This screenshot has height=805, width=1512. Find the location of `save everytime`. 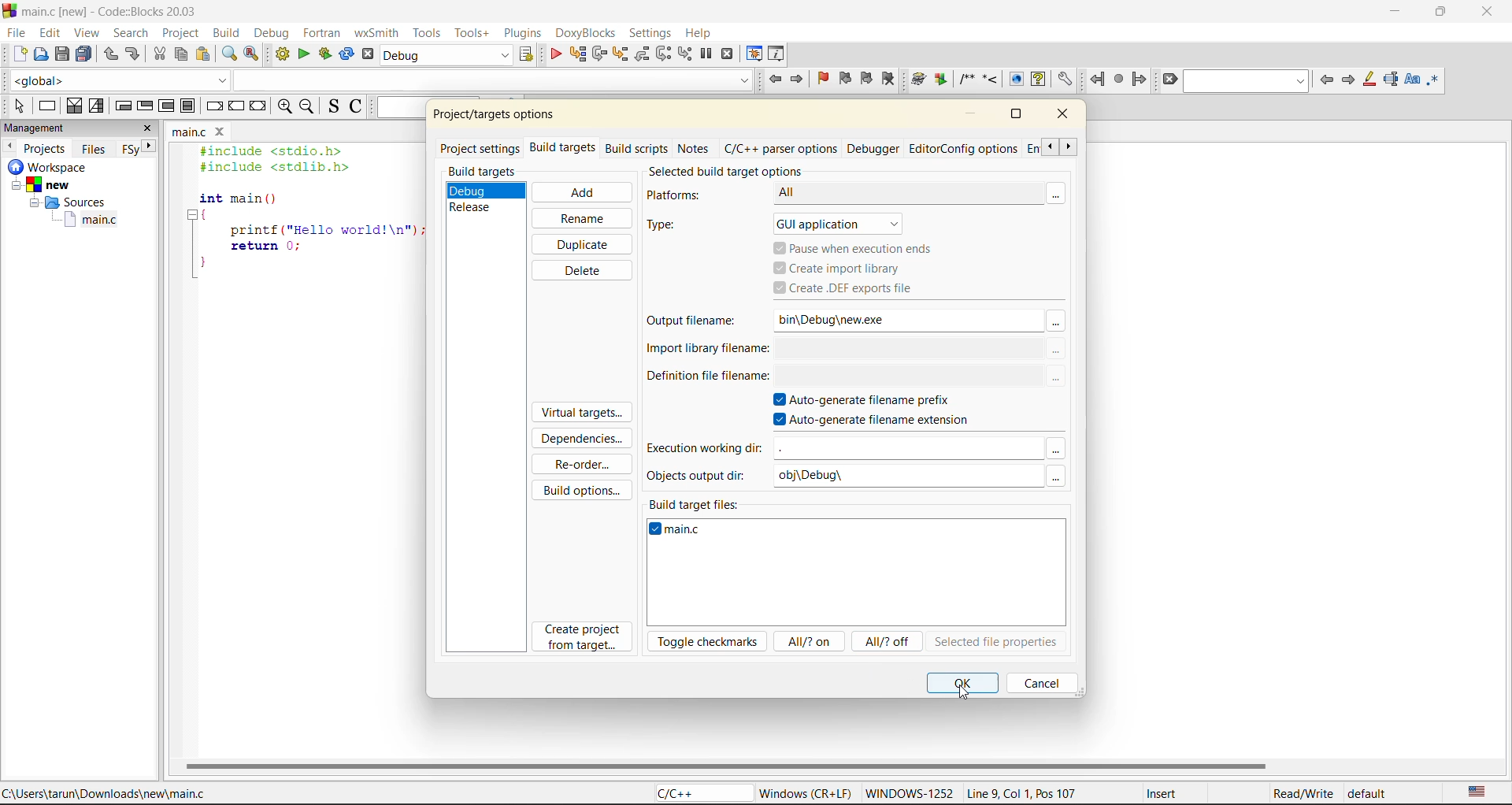

save everytime is located at coordinates (83, 54).